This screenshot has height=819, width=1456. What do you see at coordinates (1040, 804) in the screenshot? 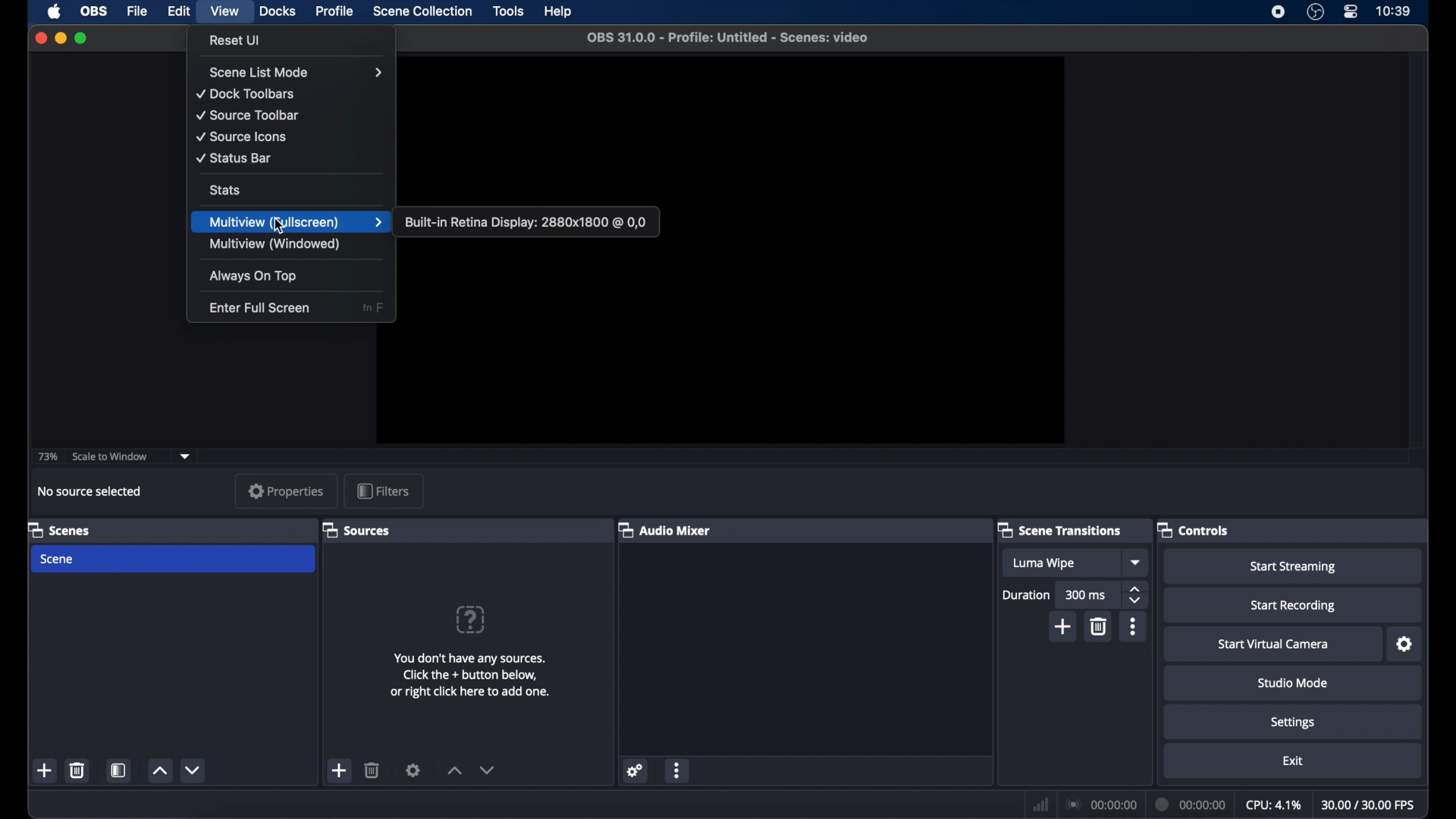
I see `network` at bounding box center [1040, 804].